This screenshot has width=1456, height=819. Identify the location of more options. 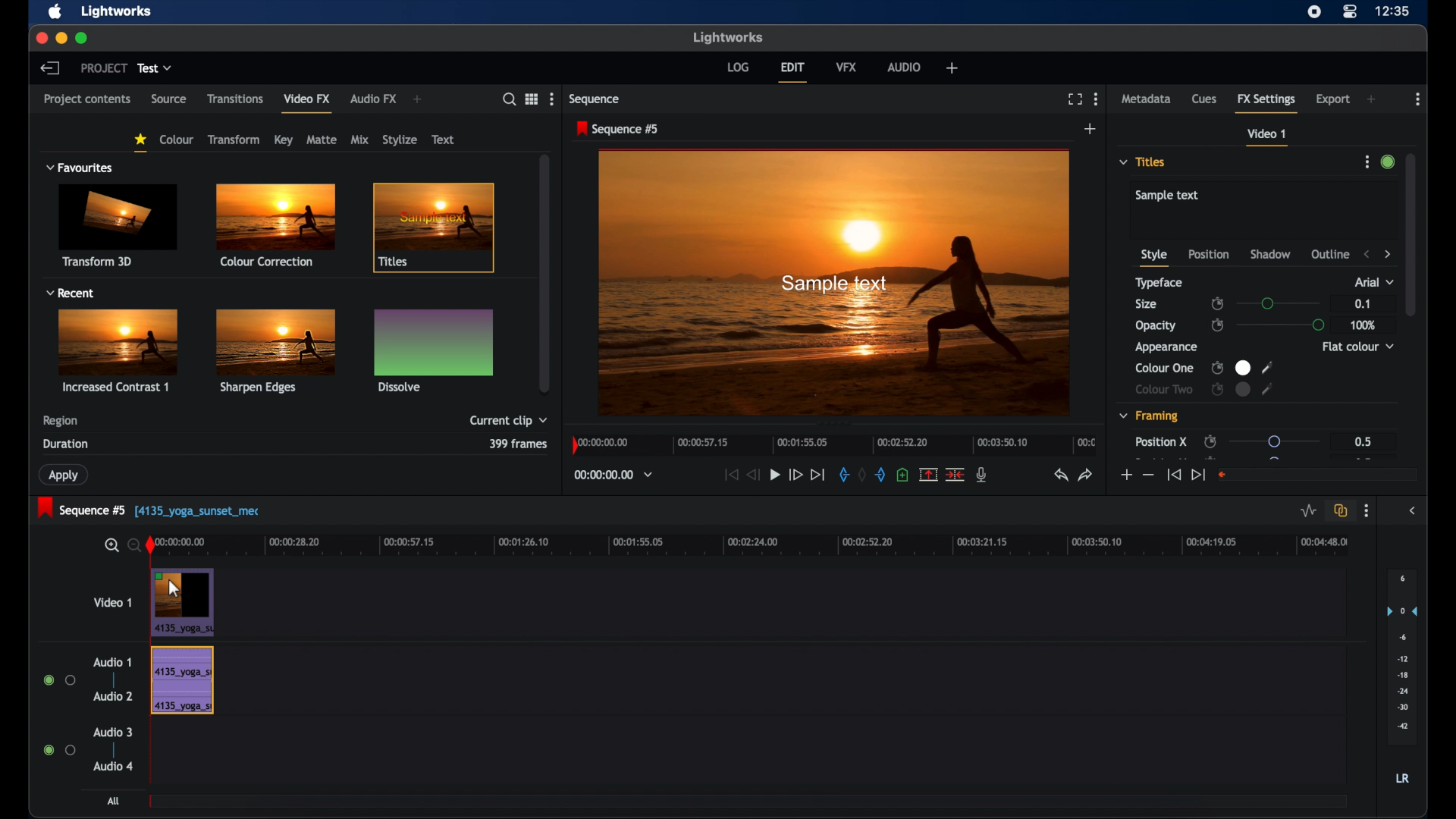
(1419, 99).